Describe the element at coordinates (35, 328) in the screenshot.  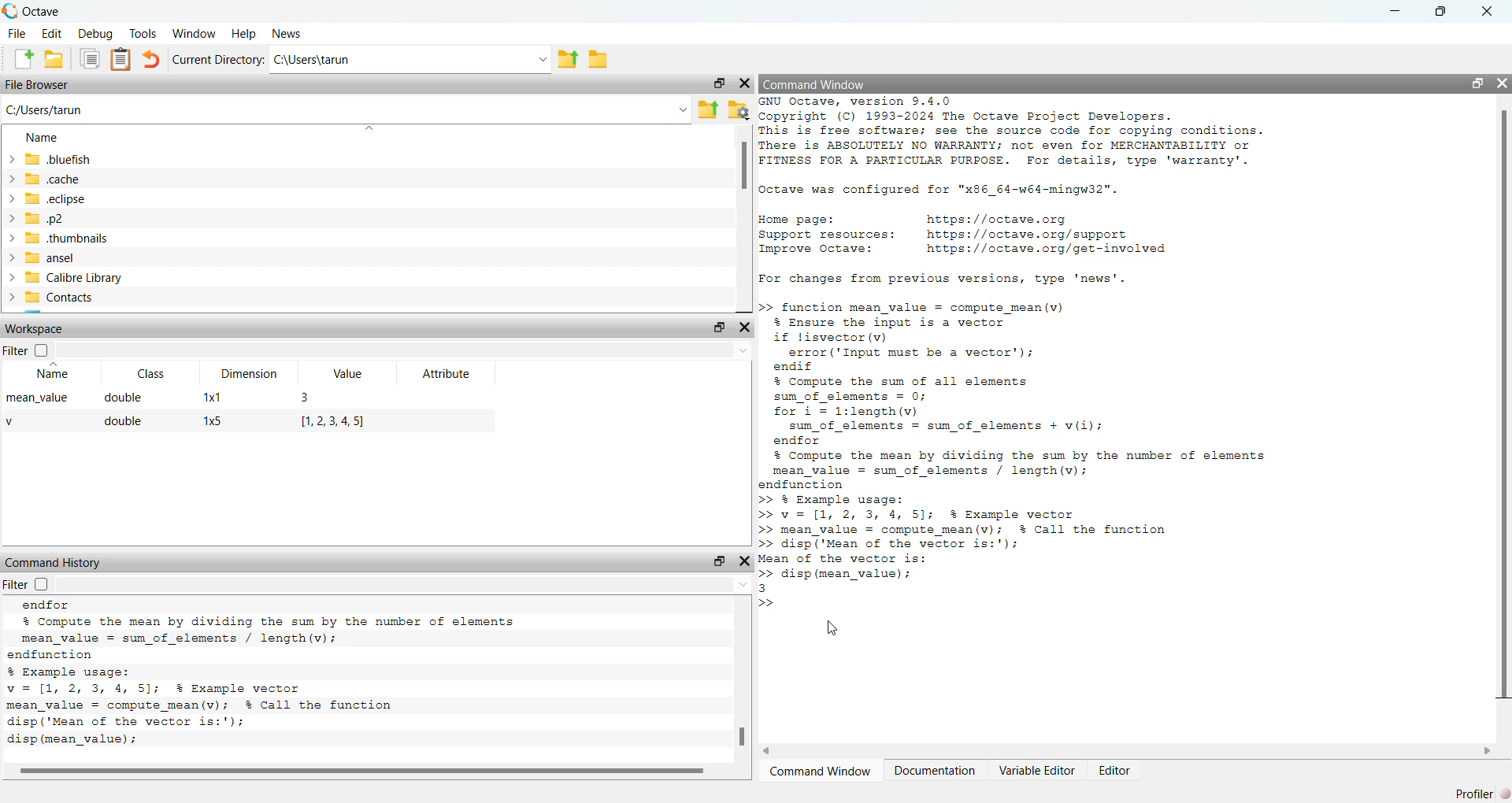
I see `Workspace` at that location.